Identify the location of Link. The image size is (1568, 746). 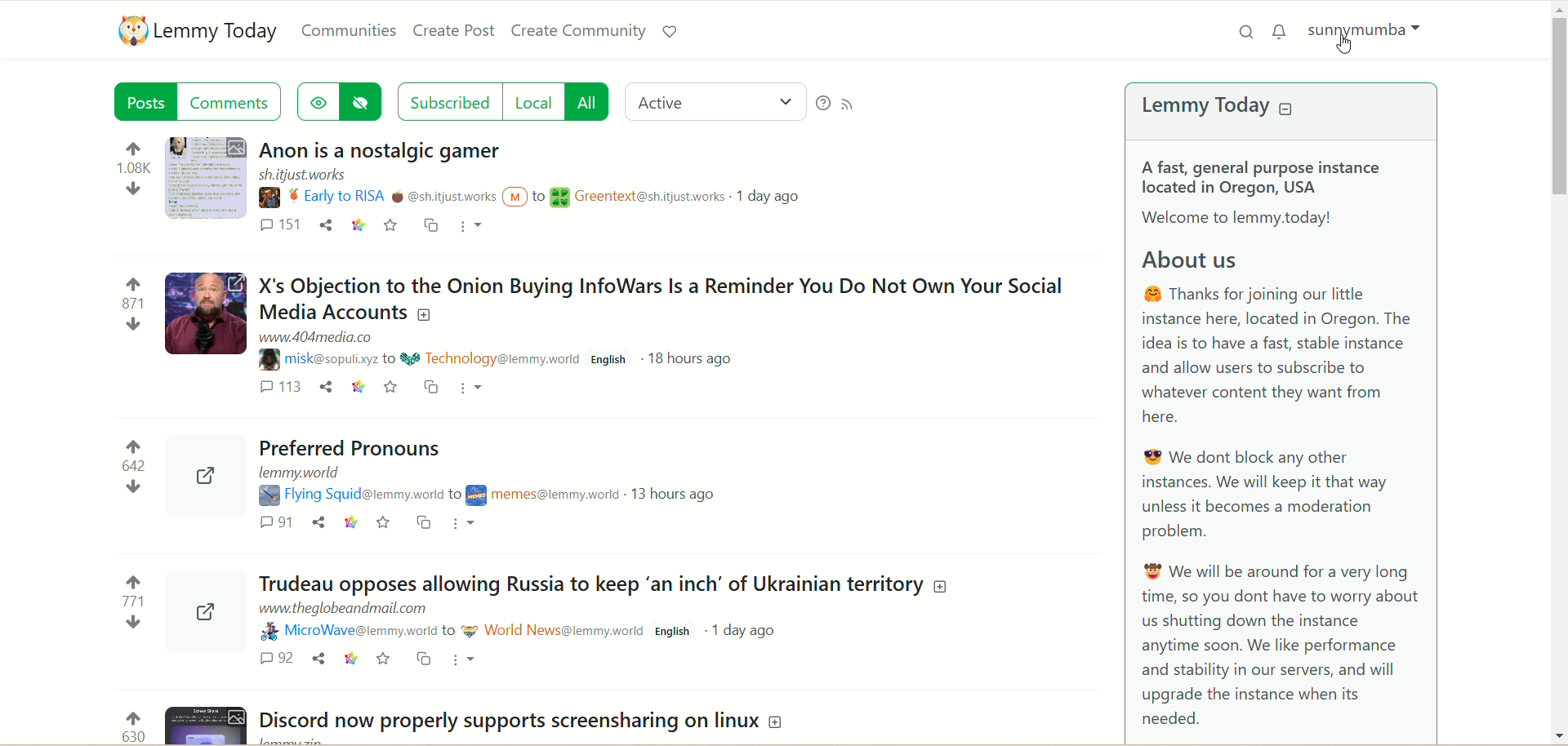
(360, 386).